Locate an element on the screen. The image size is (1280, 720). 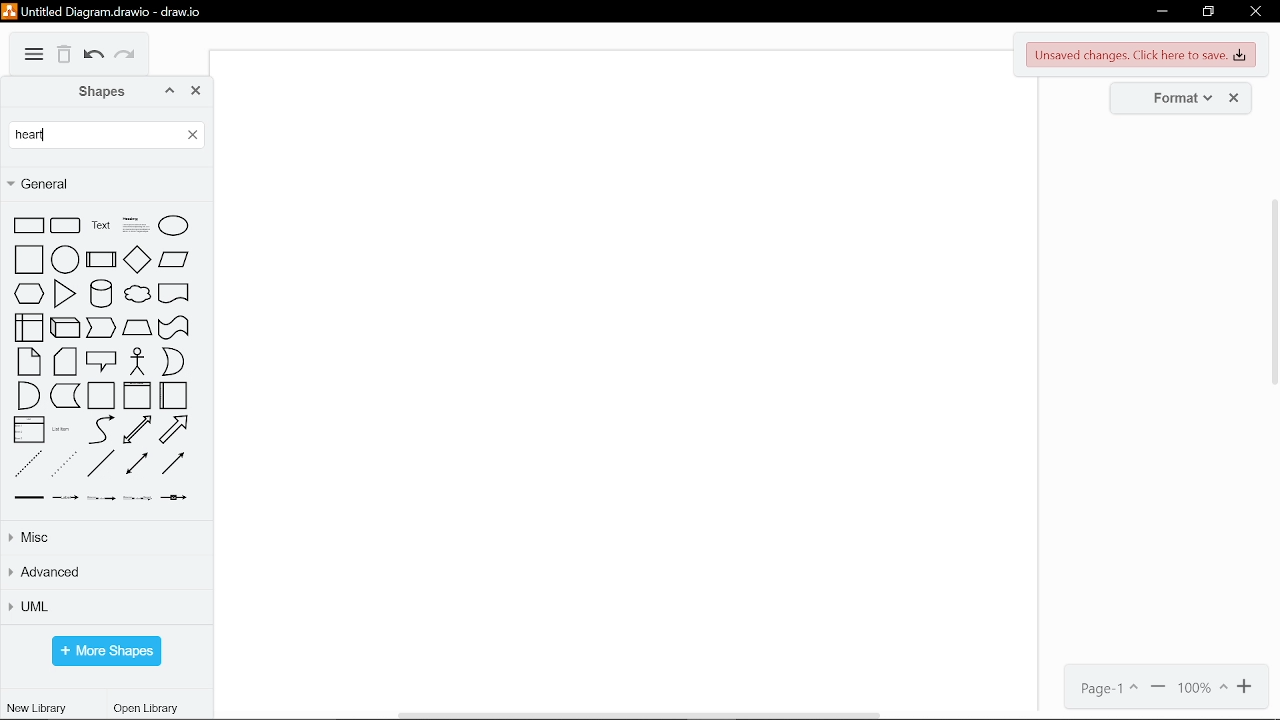
actor is located at coordinates (138, 362).